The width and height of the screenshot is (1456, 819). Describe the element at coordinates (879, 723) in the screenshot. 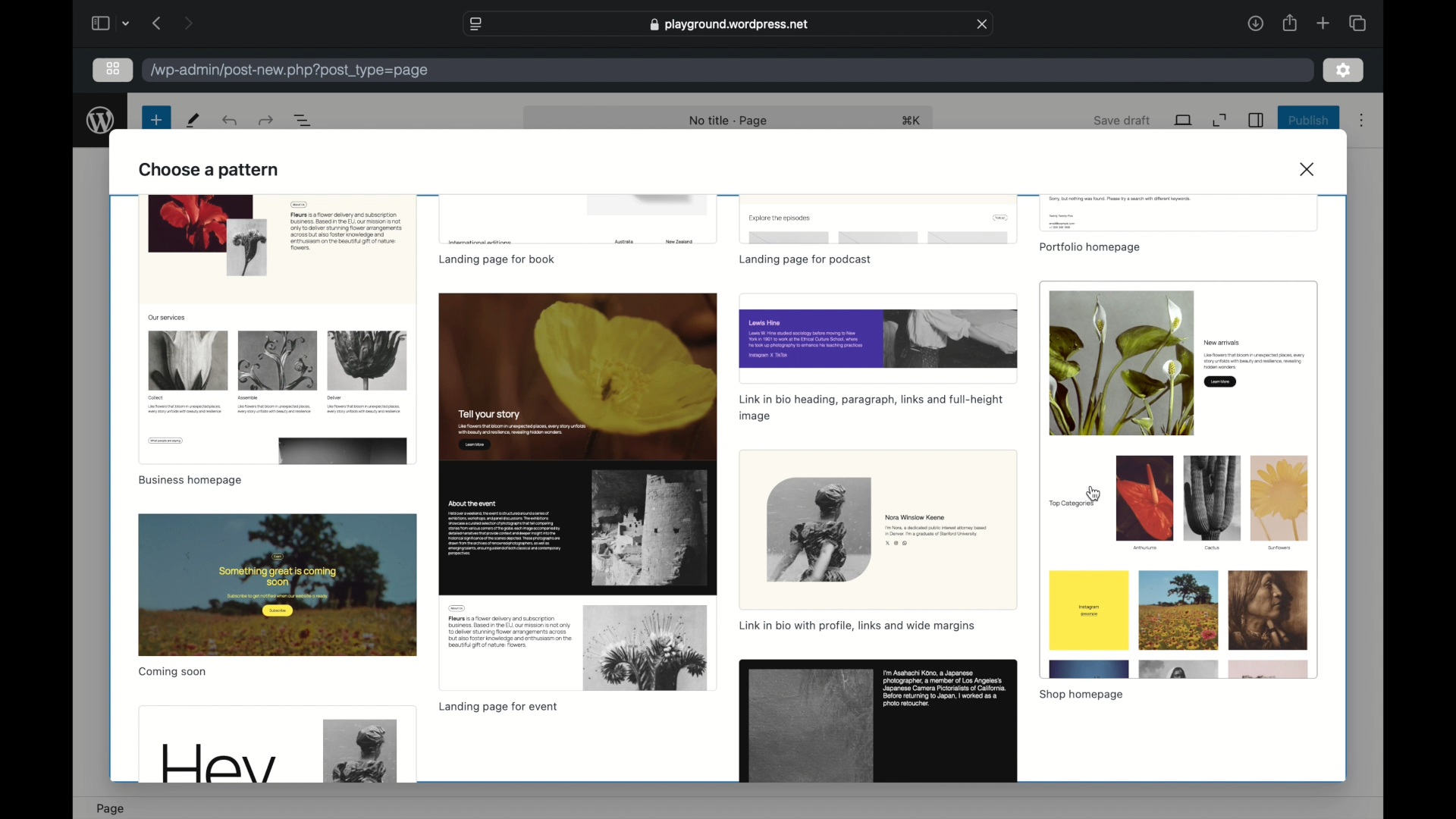

I see `preview` at that location.